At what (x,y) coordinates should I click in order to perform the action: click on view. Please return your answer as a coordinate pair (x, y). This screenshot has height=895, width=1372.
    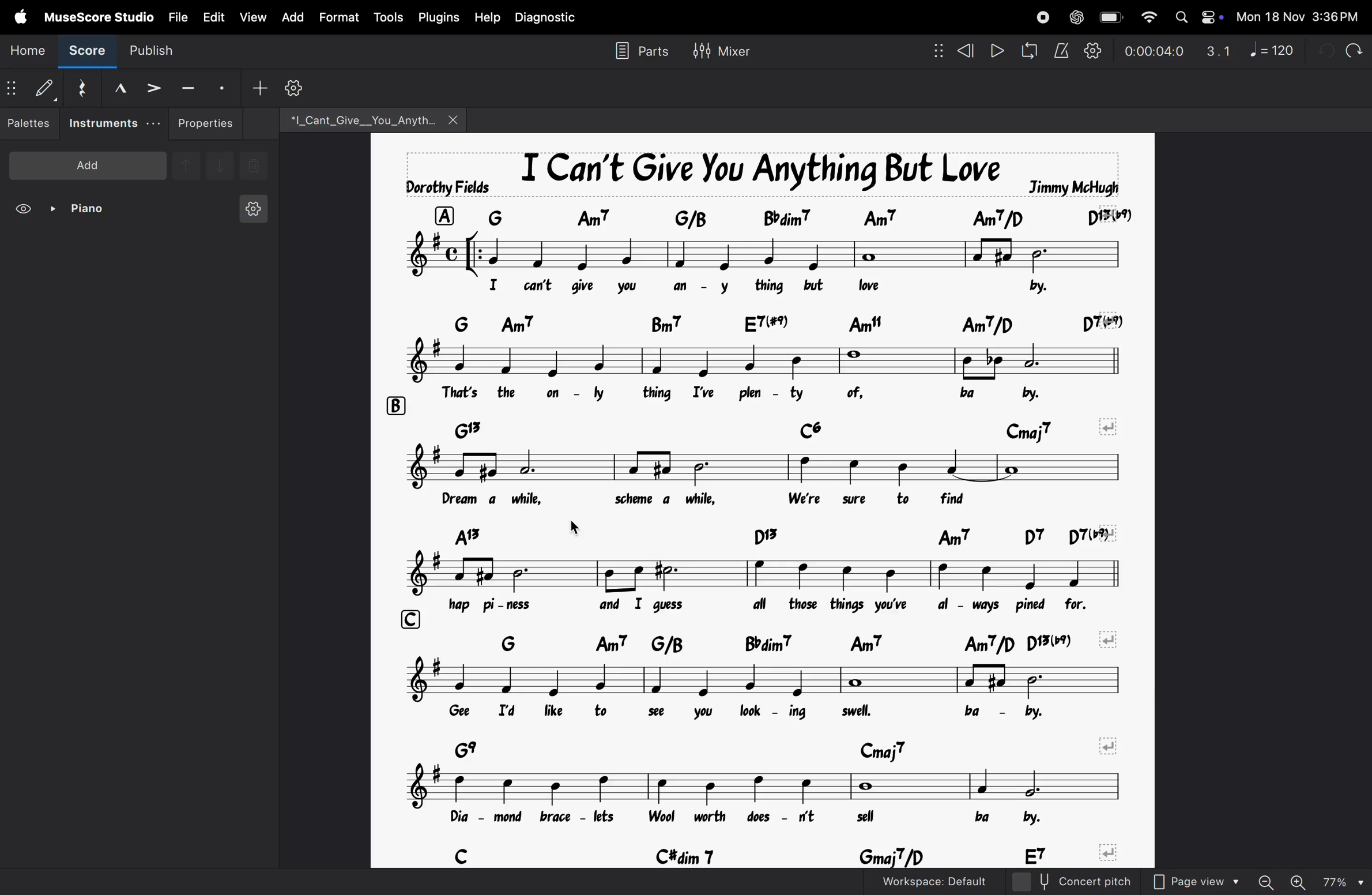
    Looking at the image, I should click on (252, 17).